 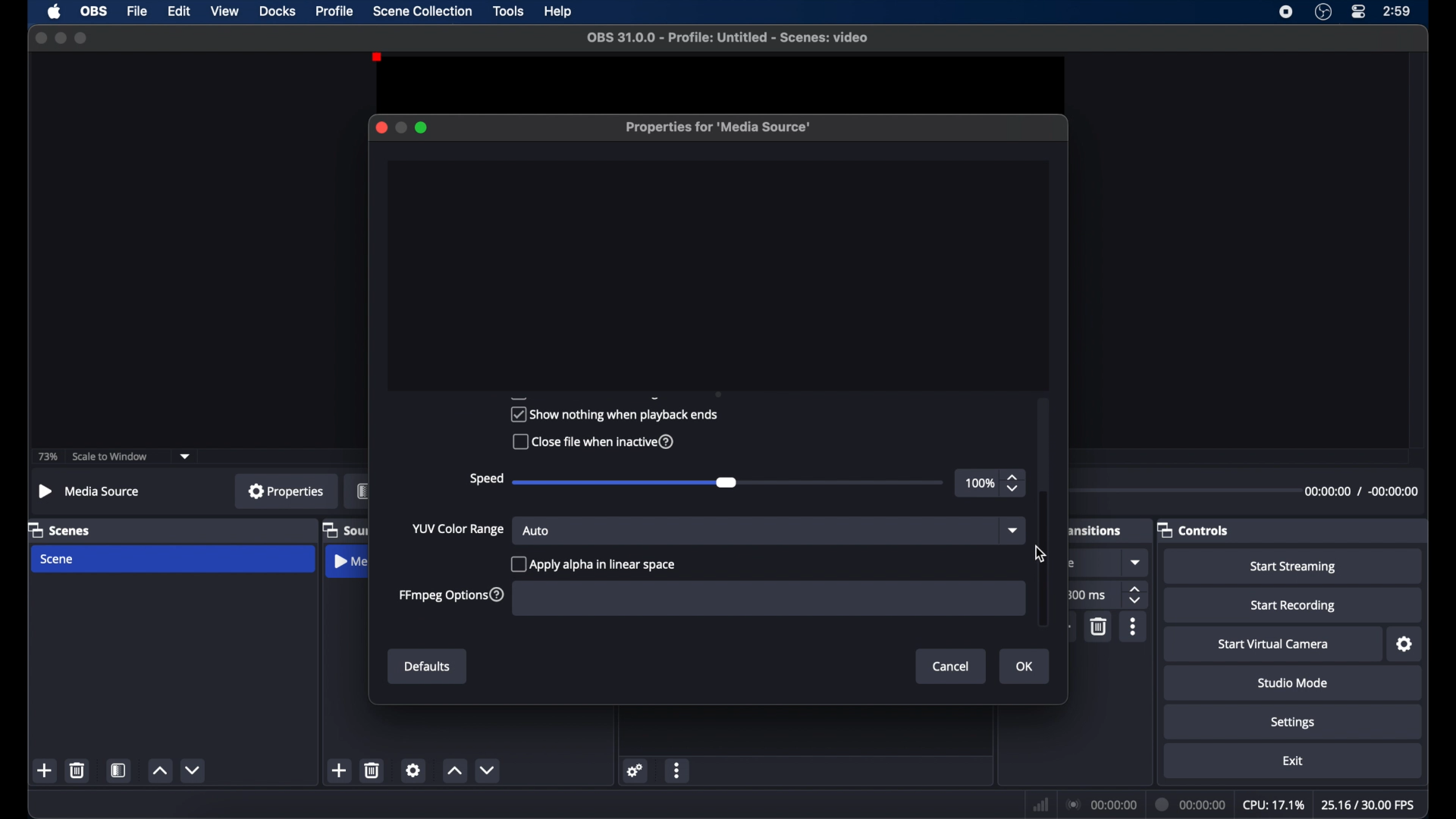 I want to click on obscure text, so click(x=583, y=395).